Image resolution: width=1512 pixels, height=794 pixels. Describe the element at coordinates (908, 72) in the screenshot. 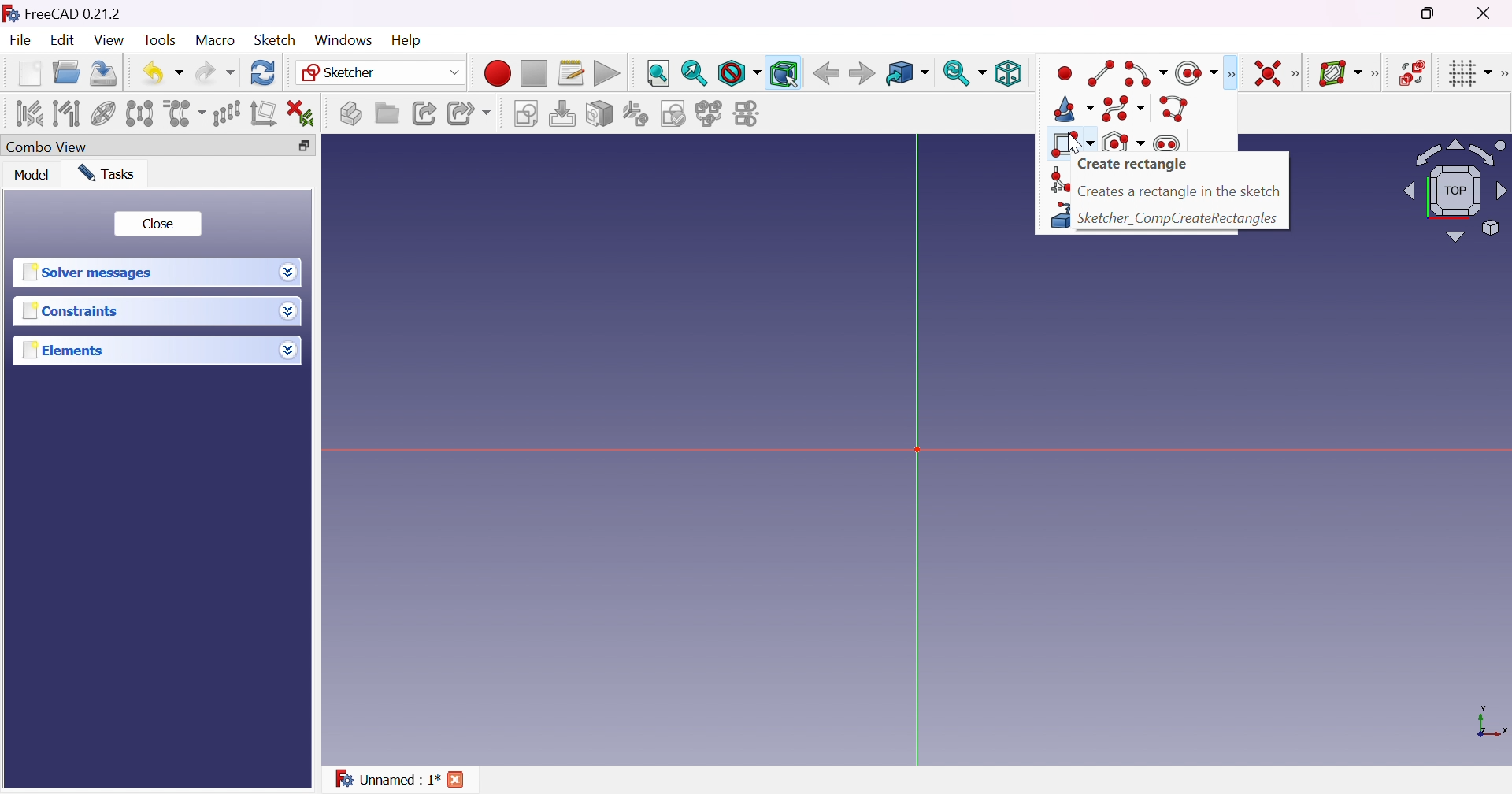

I see `Go to linked object` at that location.